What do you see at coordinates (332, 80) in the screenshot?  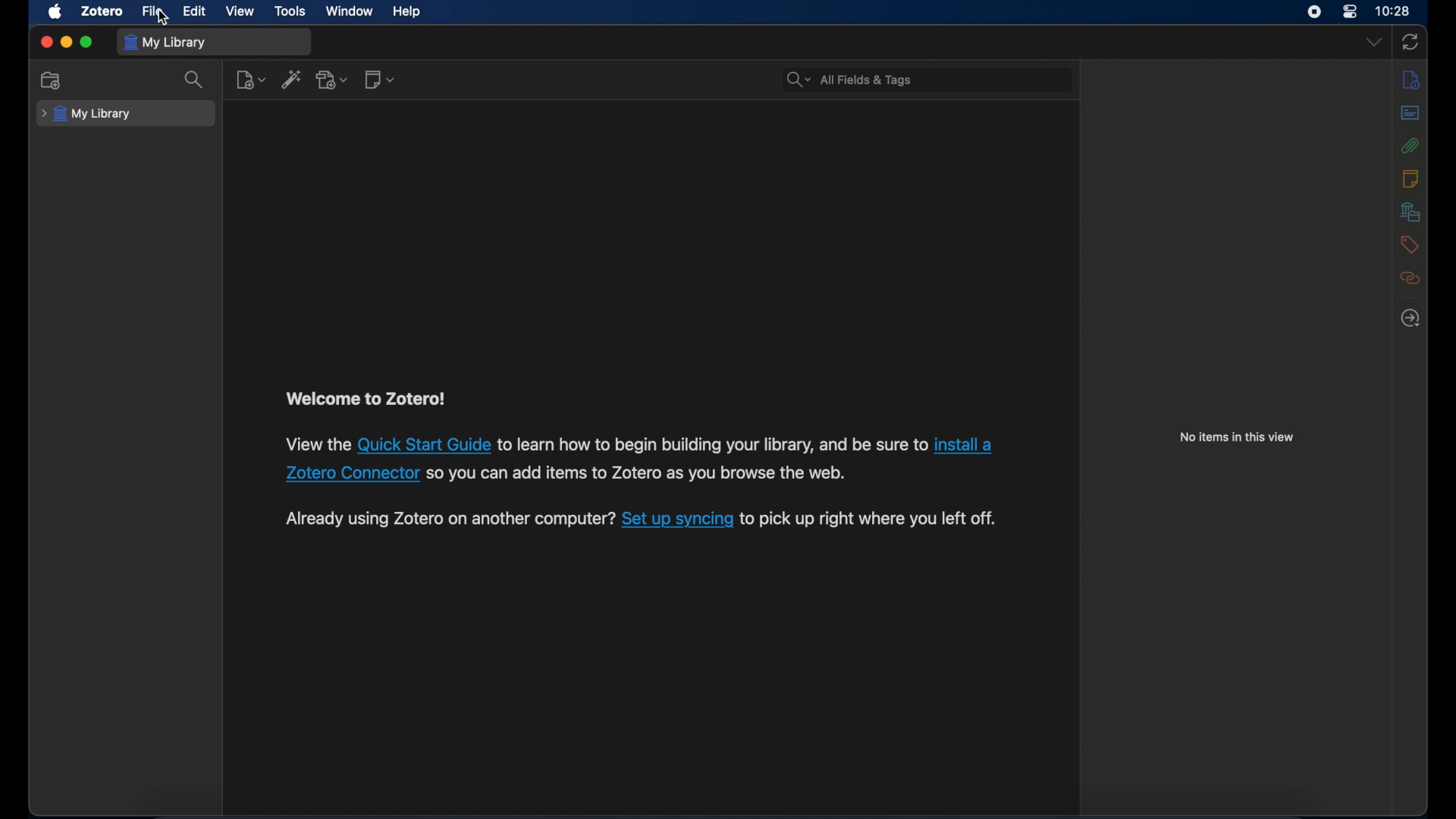 I see `add attachments` at bounding box center [332, 80].